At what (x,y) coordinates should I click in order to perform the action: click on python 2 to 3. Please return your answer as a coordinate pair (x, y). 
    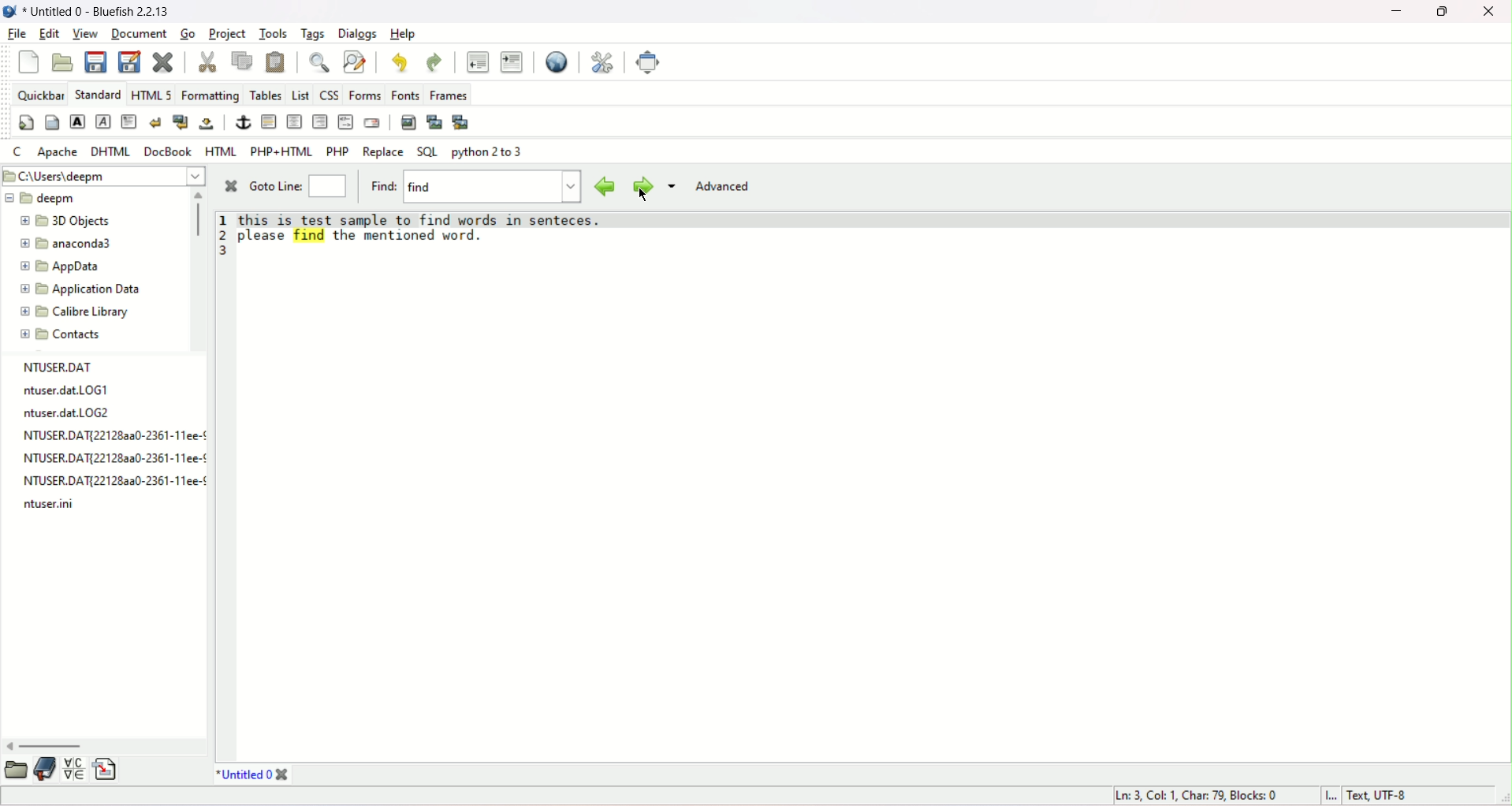
    Looking at the image, I should click on (489, 155).